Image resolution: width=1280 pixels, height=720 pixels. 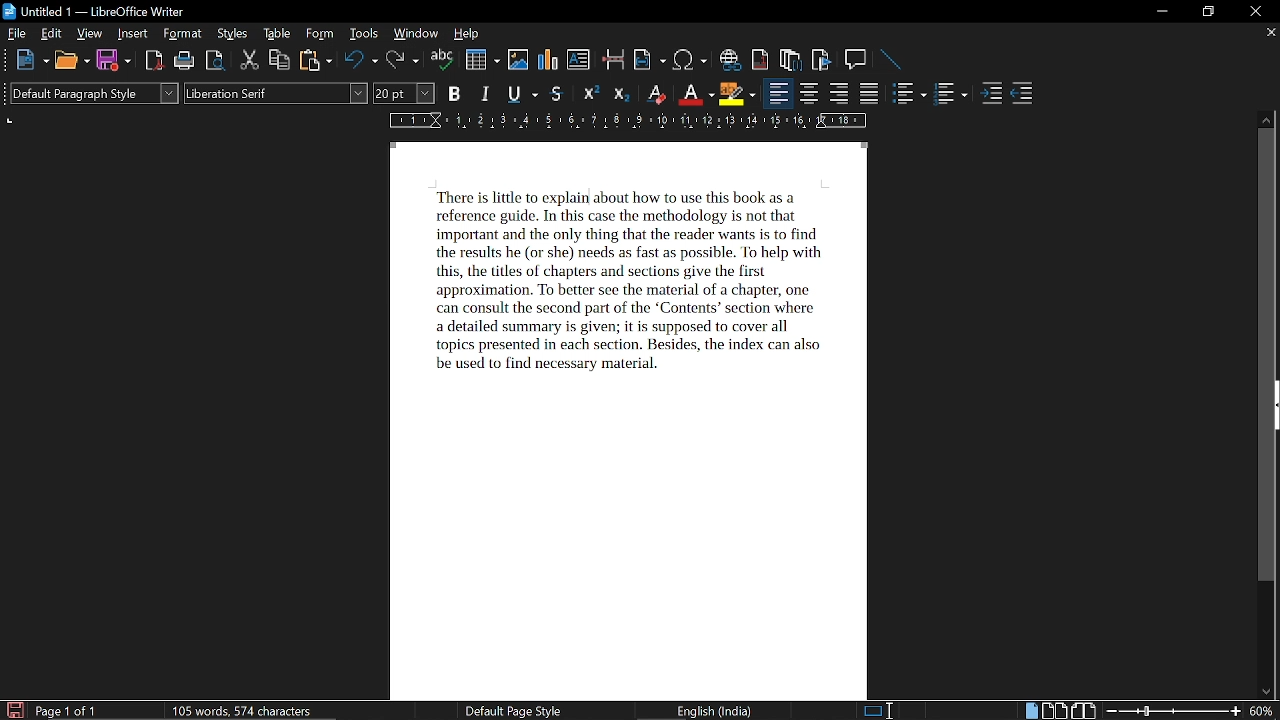 I want to click on view, so click(x=91, y=35).